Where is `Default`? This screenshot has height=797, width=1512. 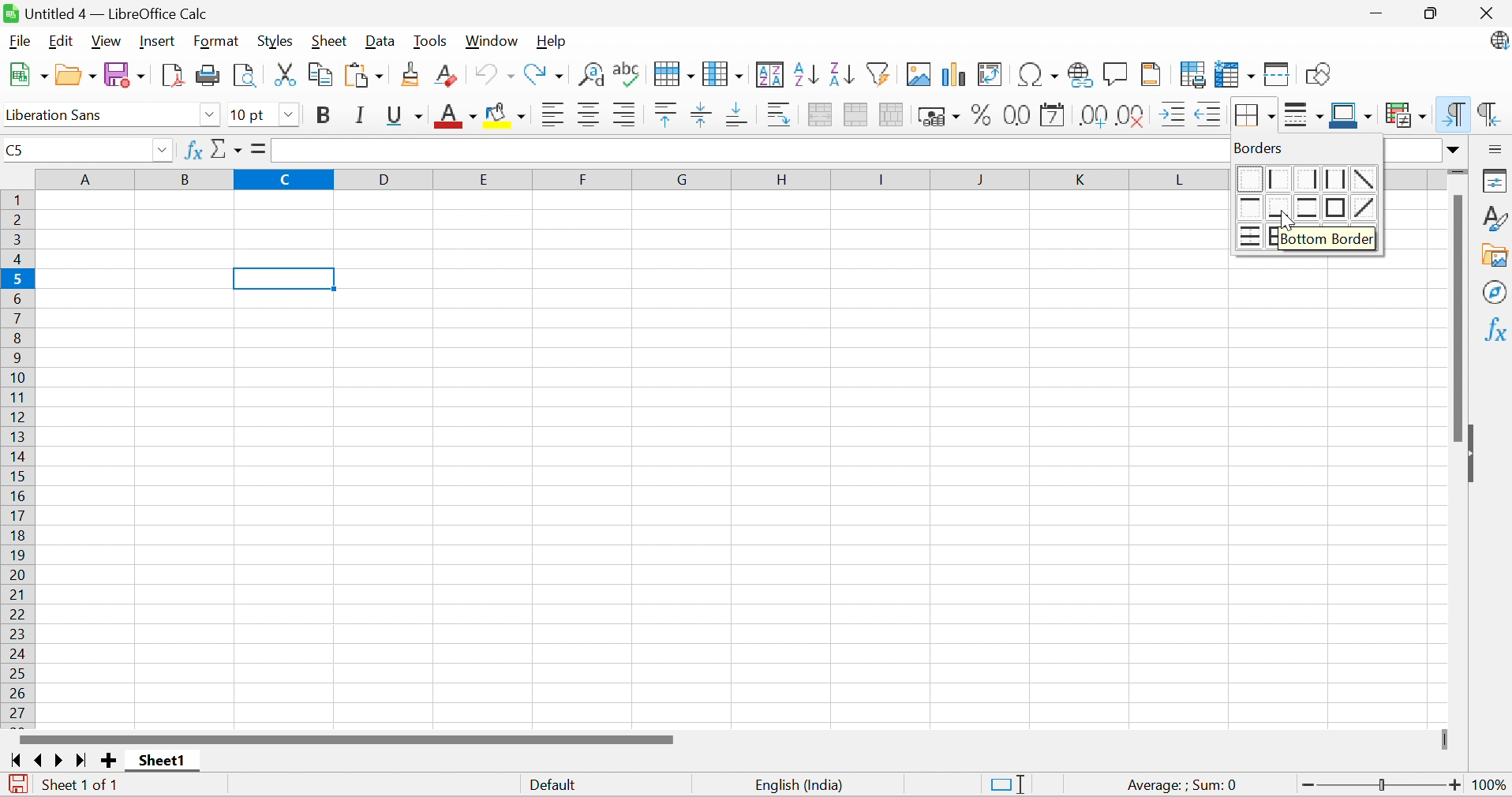 Default is located at coordinates (556, 787).